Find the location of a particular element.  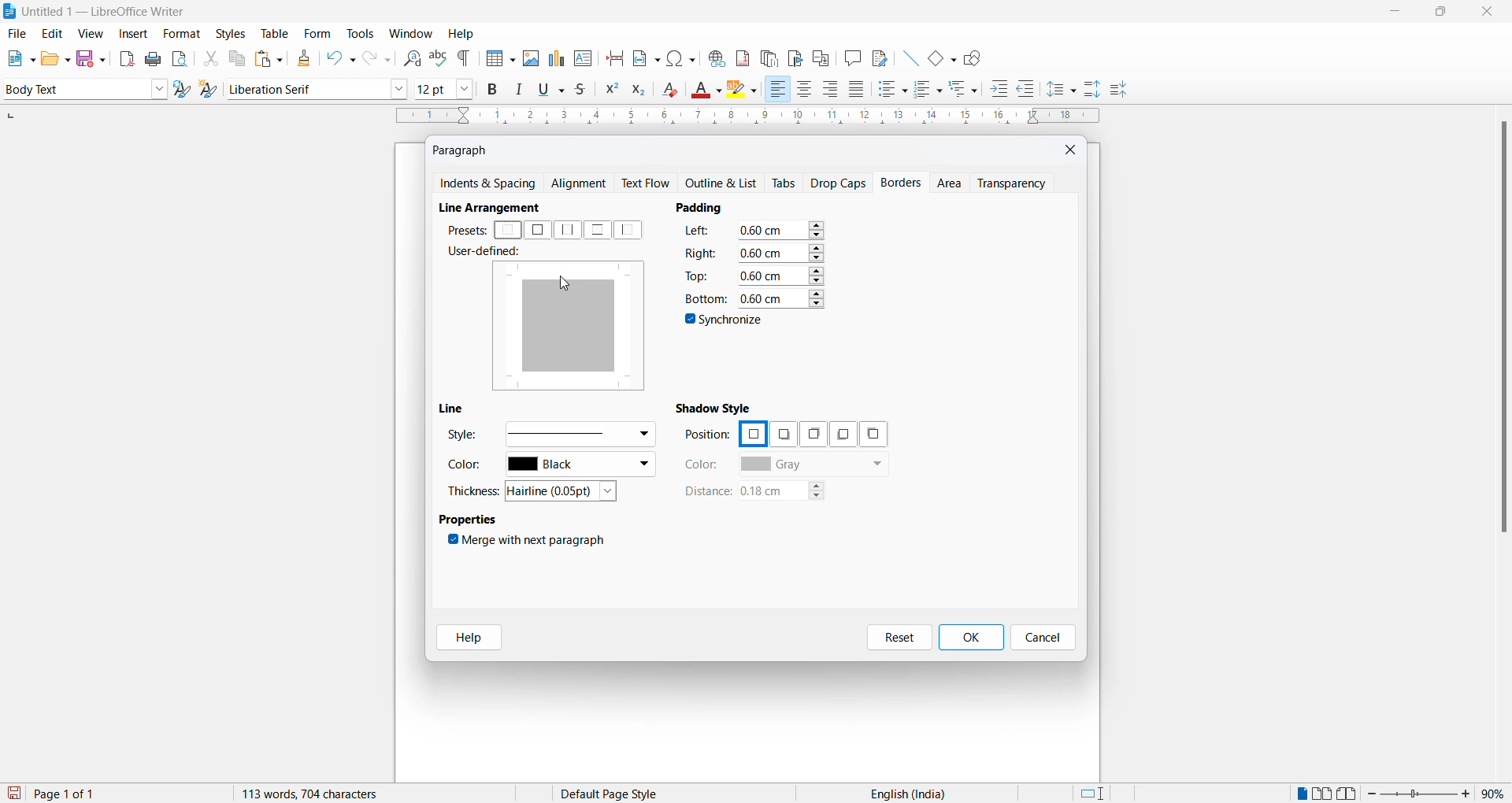

paragraph mapping is located at coordinates (576, 328).